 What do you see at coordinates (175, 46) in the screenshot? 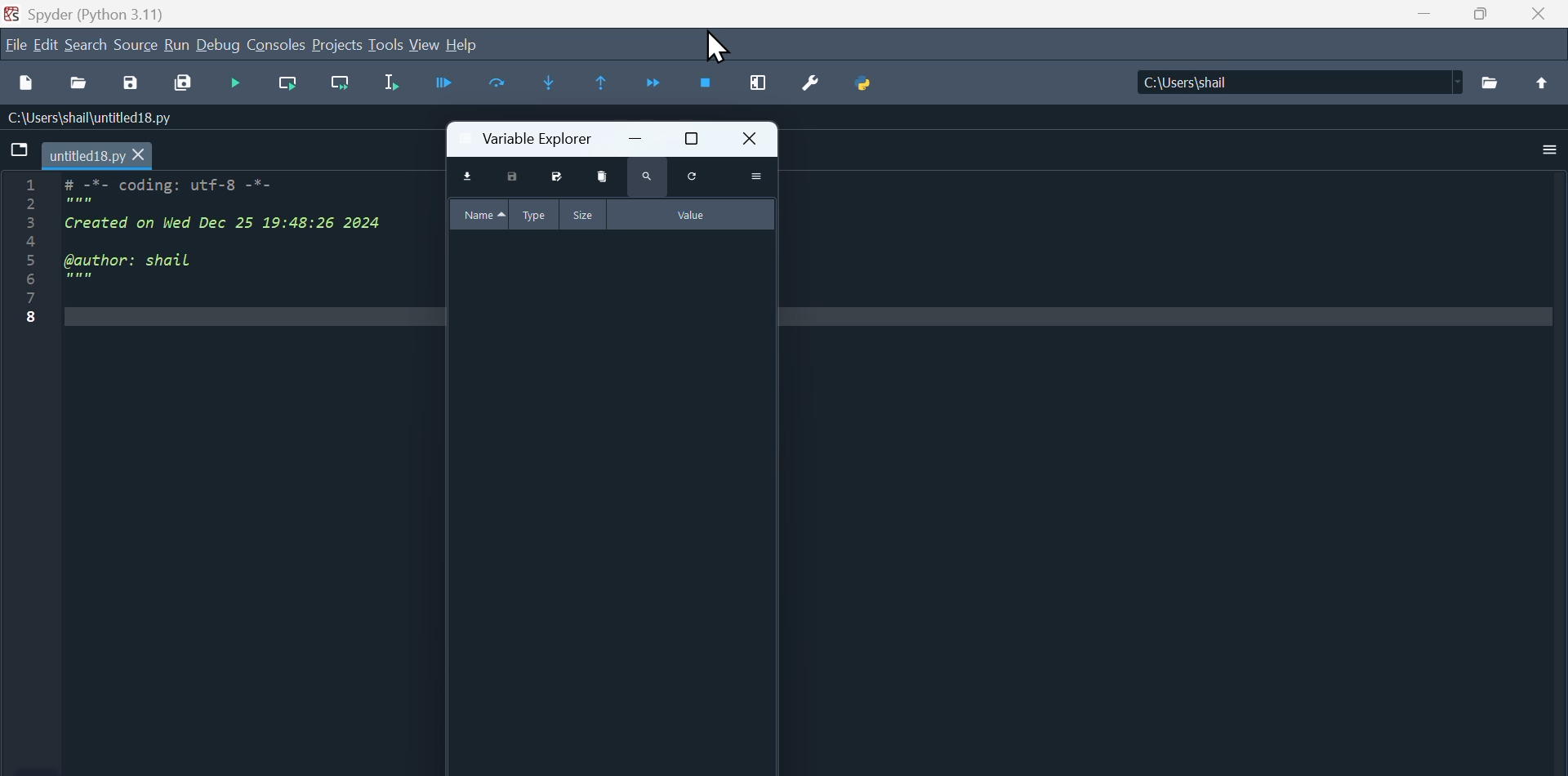
I see `Build` at bounding box center [175, 46].